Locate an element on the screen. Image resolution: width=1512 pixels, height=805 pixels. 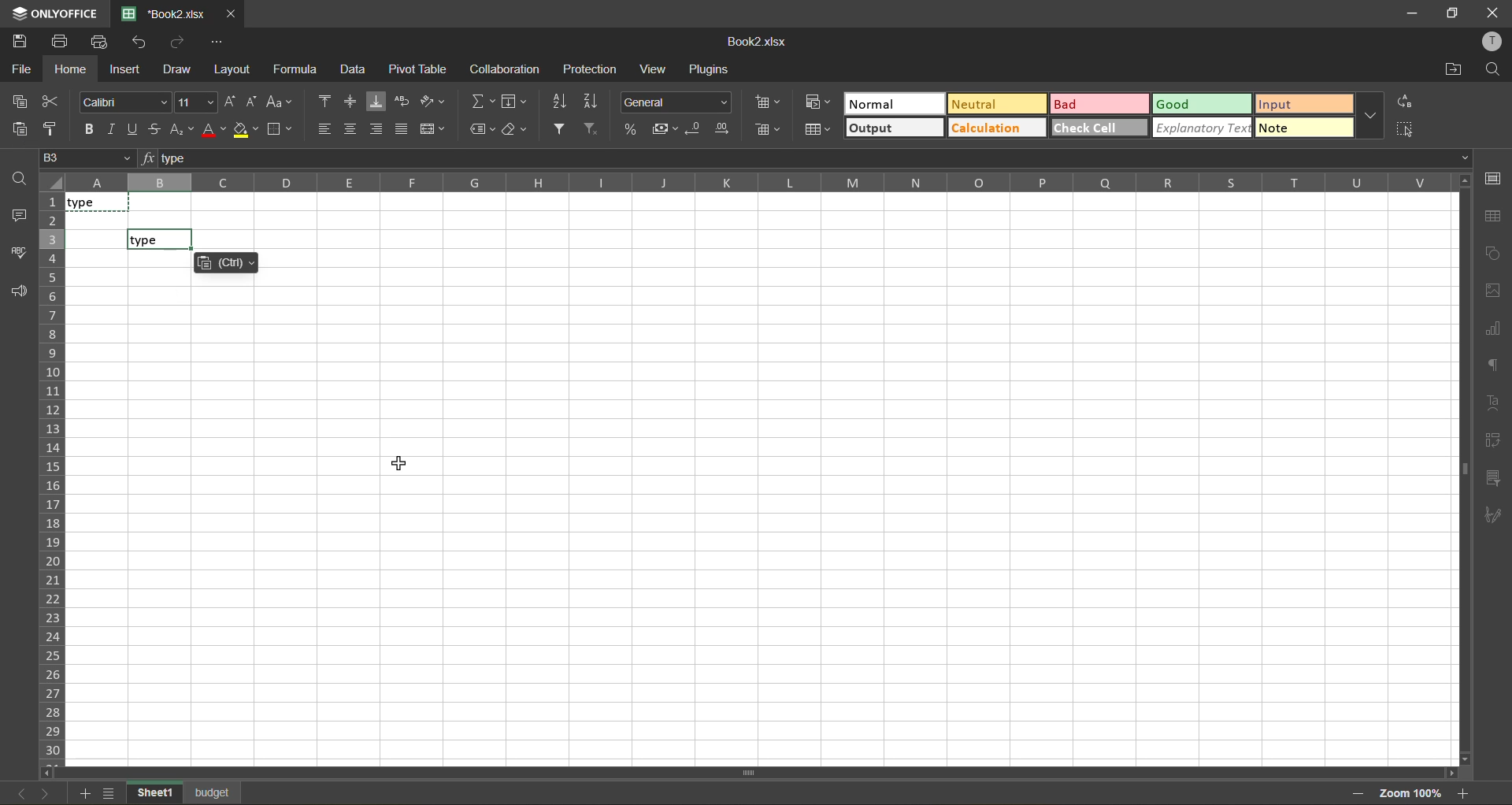
cell input is located at coordinates (765, 523).